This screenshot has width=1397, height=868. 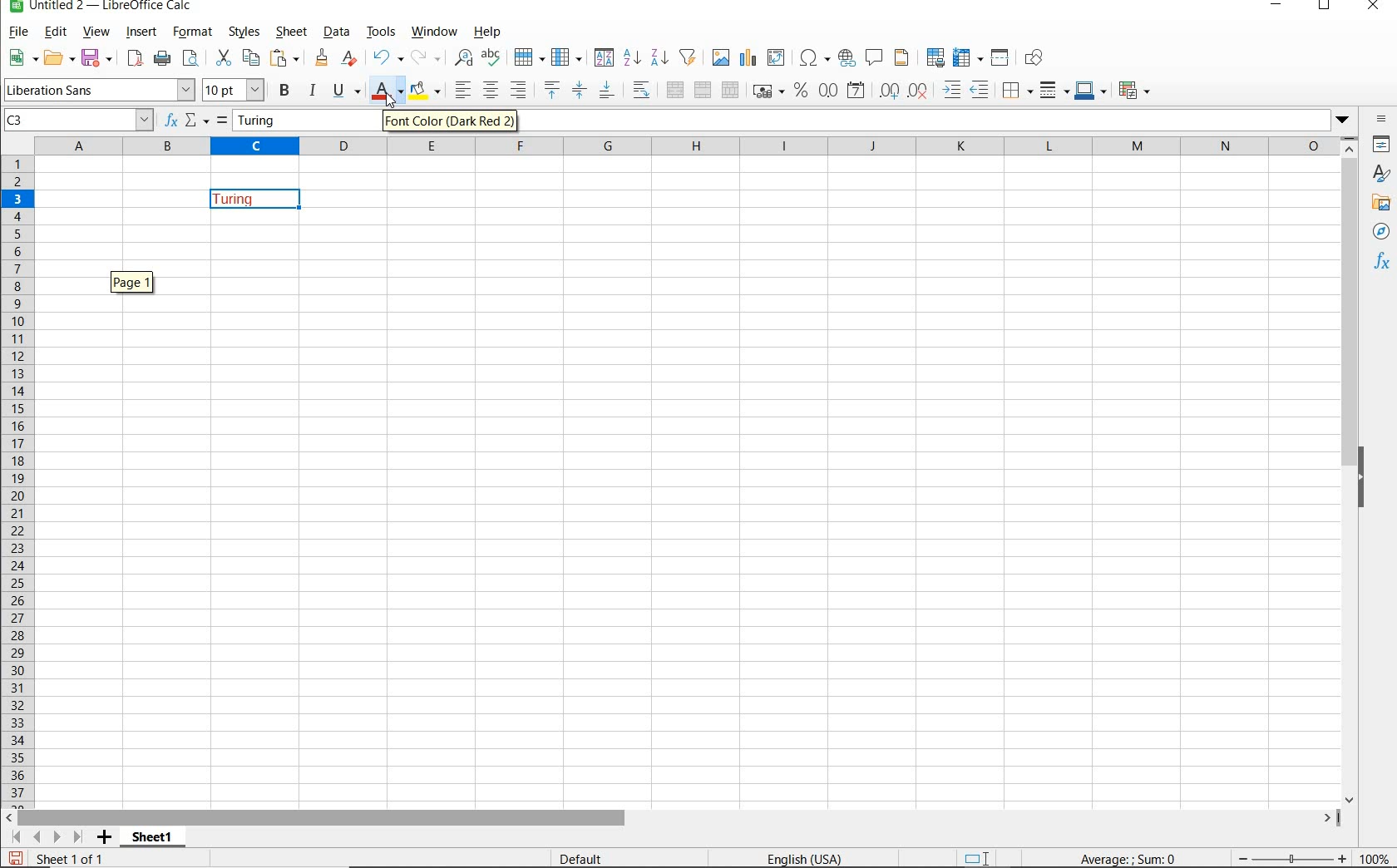 What do you see at coordinates (580, 91) in the screenshot?
I see `CENTER VERTICALLY` at bounding box center [580, 91].